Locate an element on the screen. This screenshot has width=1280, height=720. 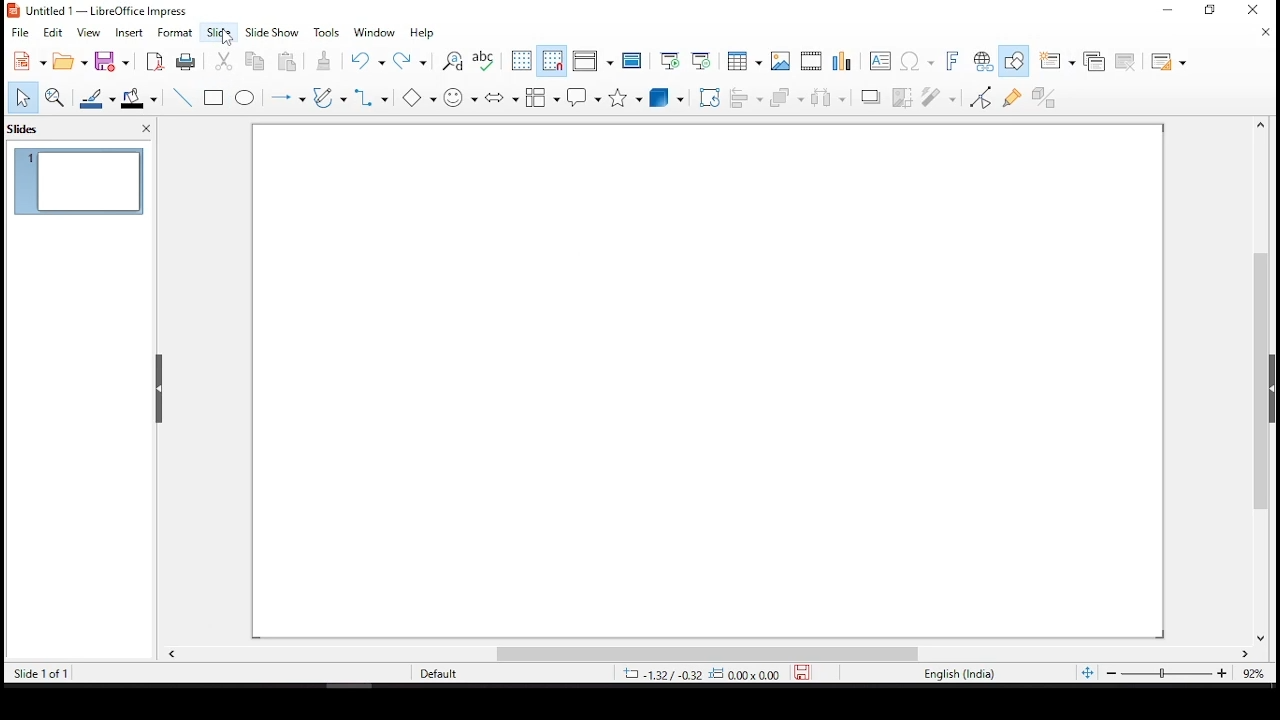
rectangle is located at coordinates (214, 97).